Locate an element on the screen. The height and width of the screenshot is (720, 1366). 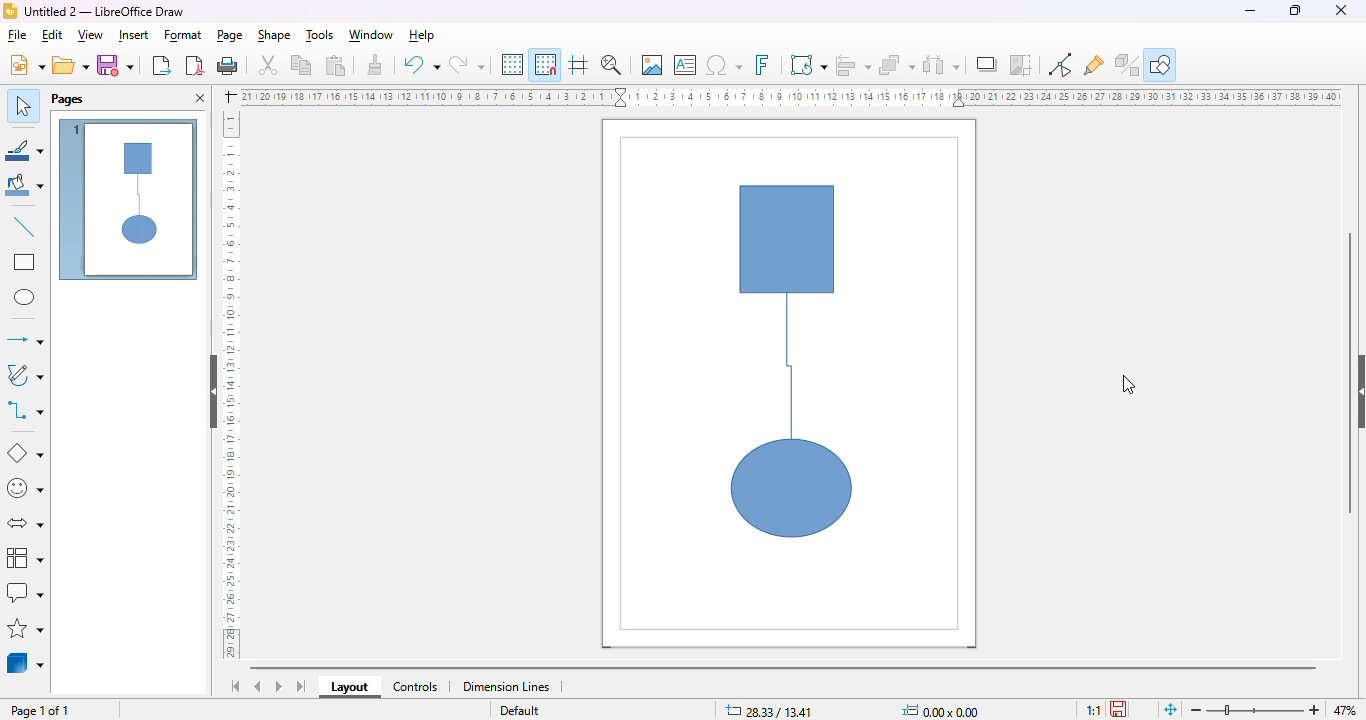
layout is located at coordinates (350, 687).